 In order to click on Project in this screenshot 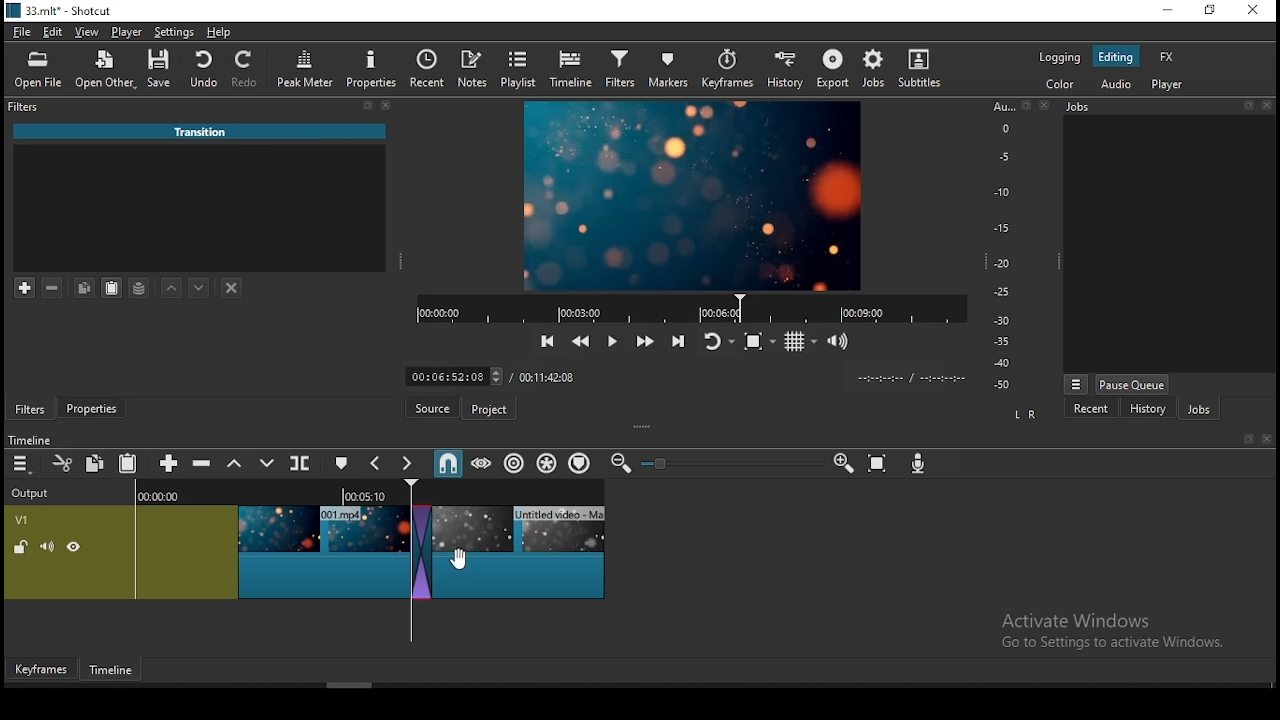, I will do `click(489, 407)`.